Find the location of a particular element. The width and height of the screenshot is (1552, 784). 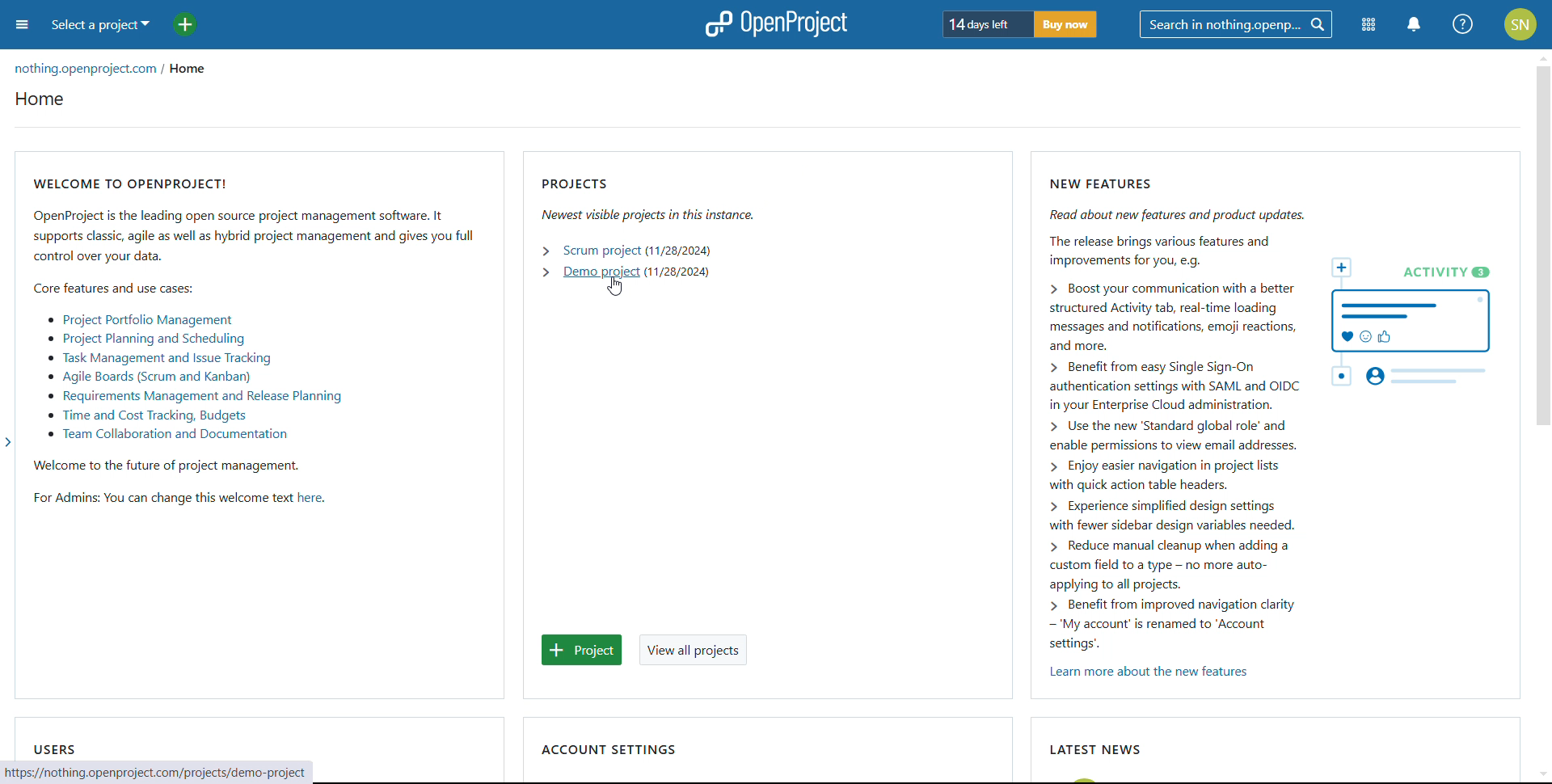

start date of demo project is located at coordinates (677, 272).